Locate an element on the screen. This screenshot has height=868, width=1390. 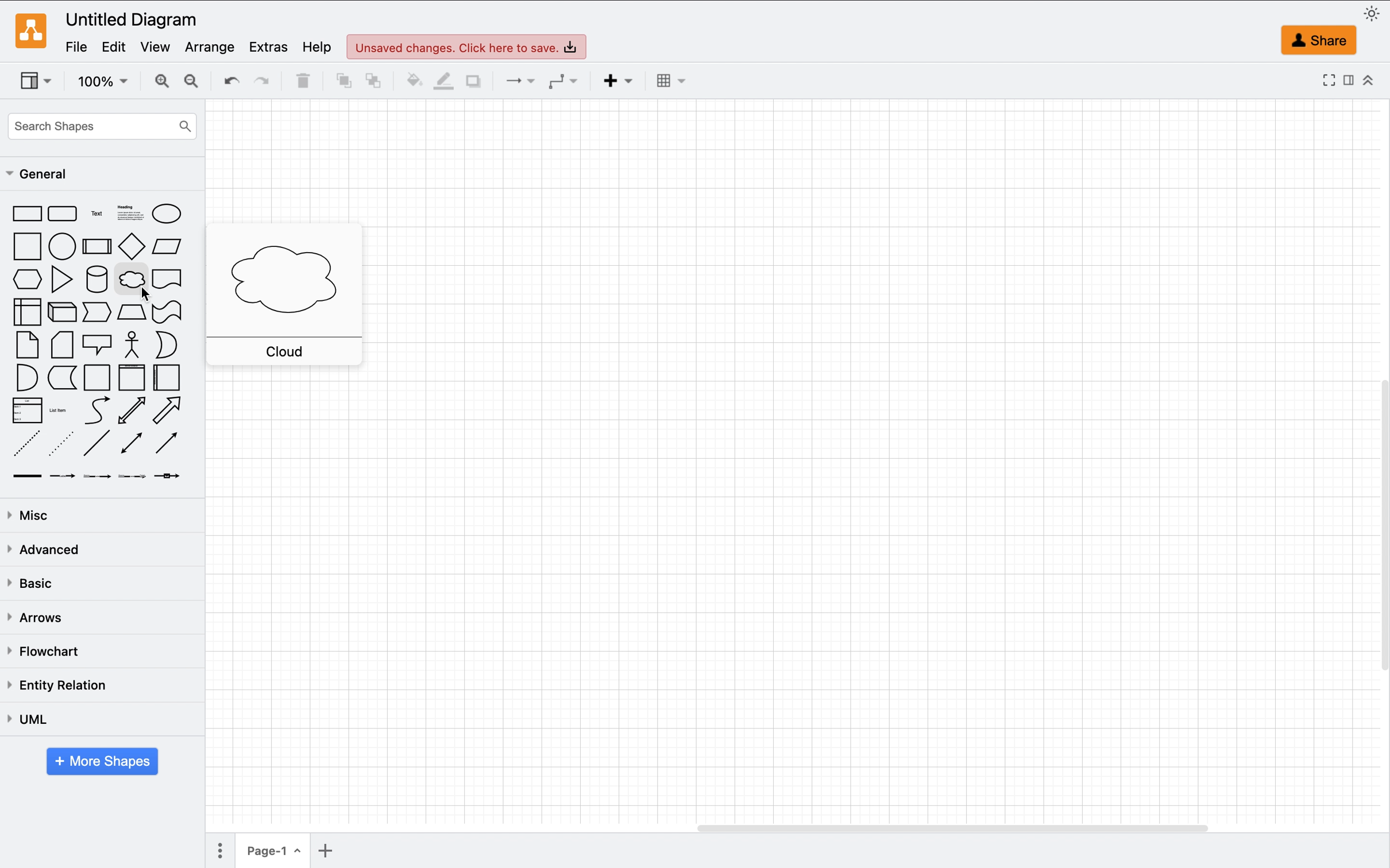
cursor is located at coordinates (146, 293).